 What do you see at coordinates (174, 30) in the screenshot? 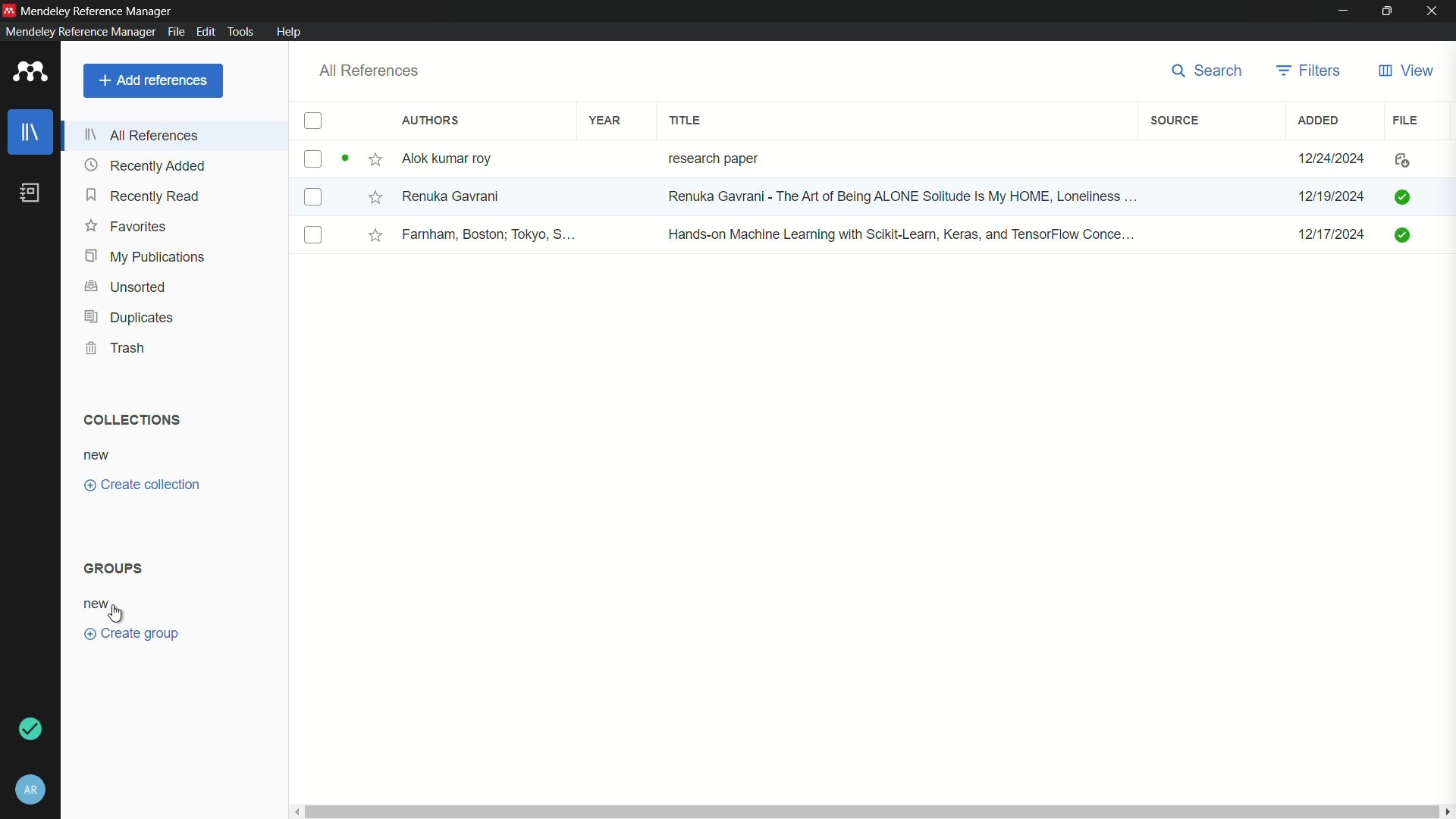
I see `file menu` at bounding box center [174, 30].